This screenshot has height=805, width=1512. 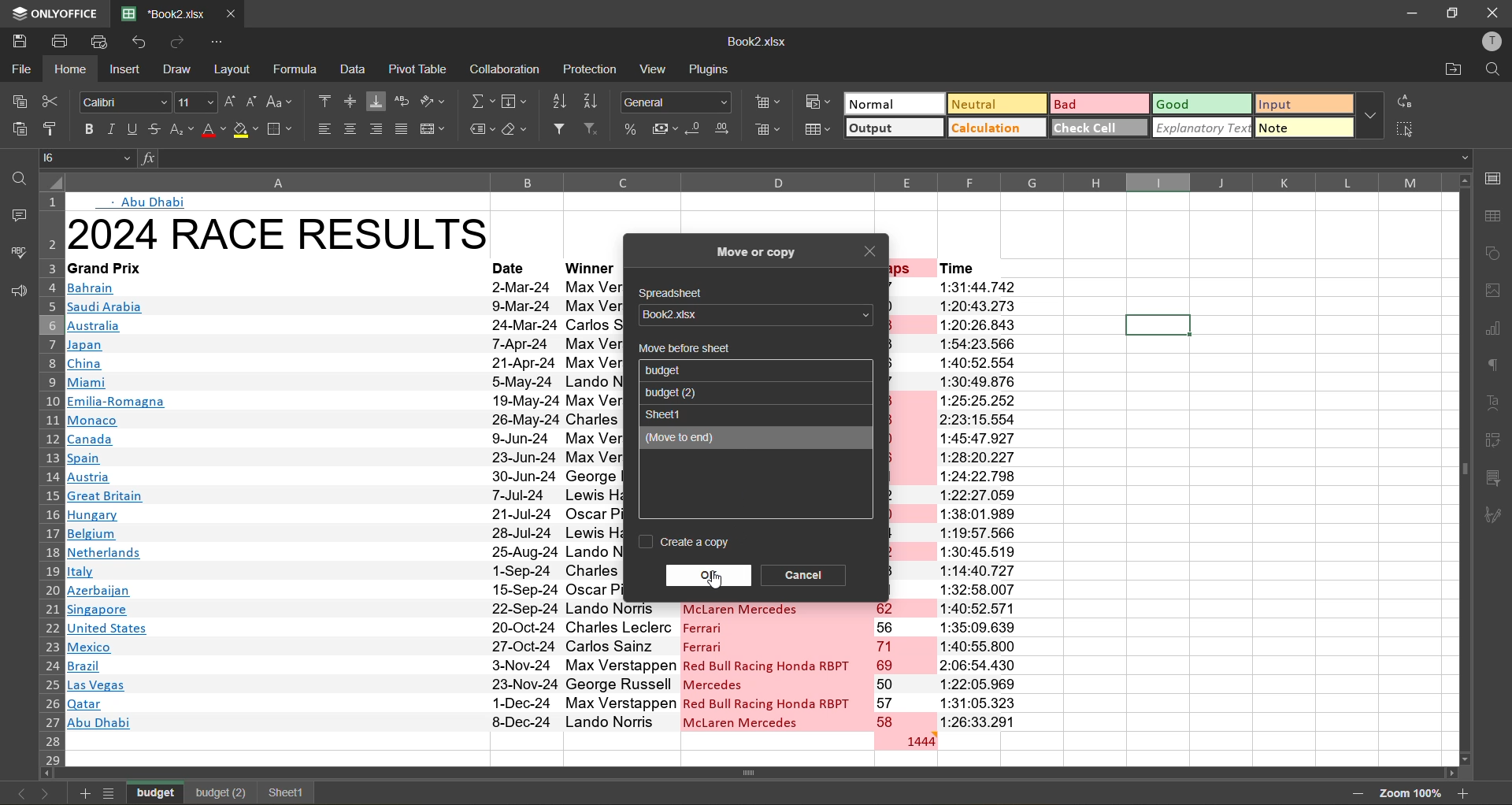 I want to click on move before sheet, so click(x=682, y=349).